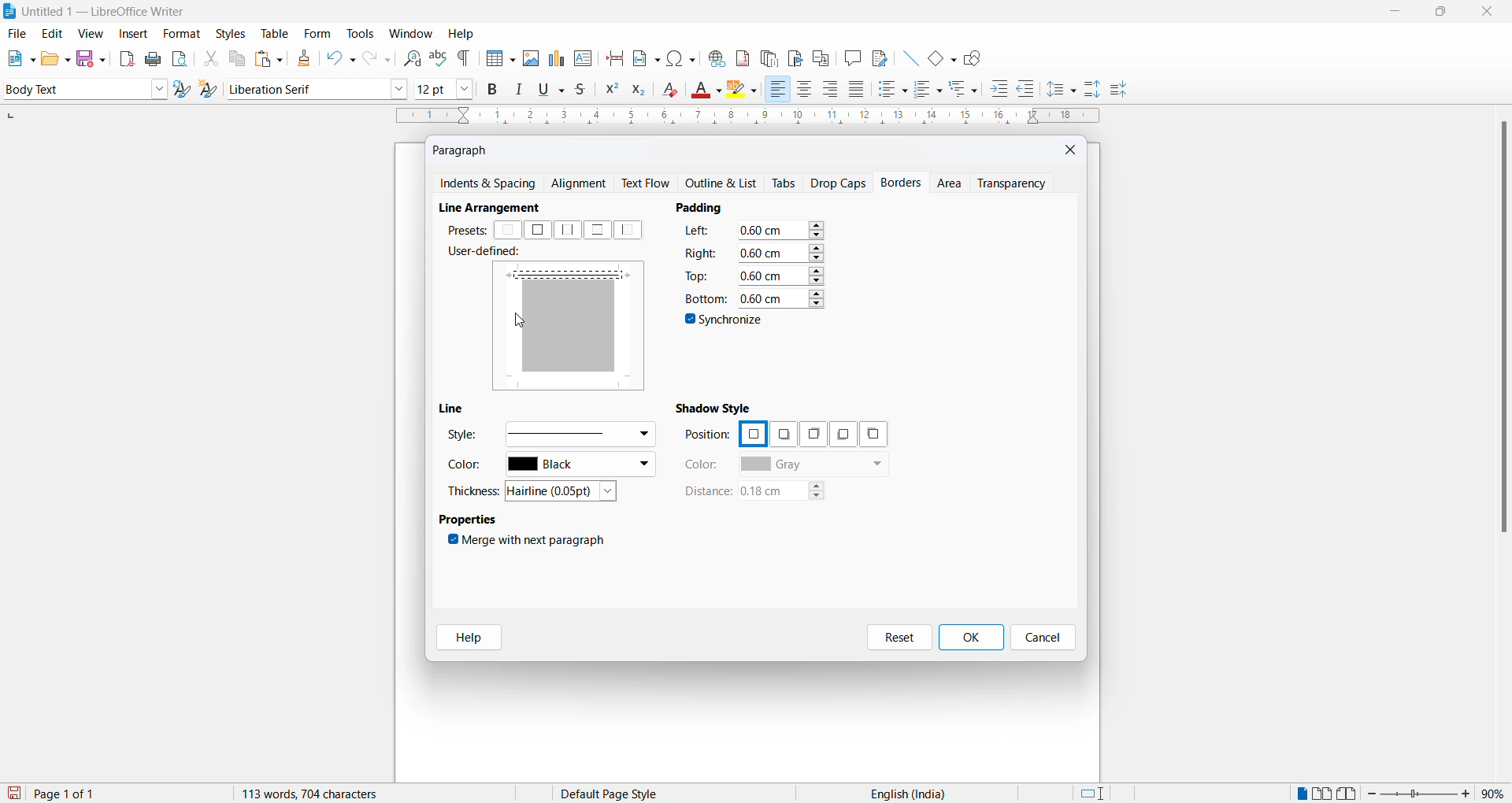  I want to click on tools, so click(360, 34).